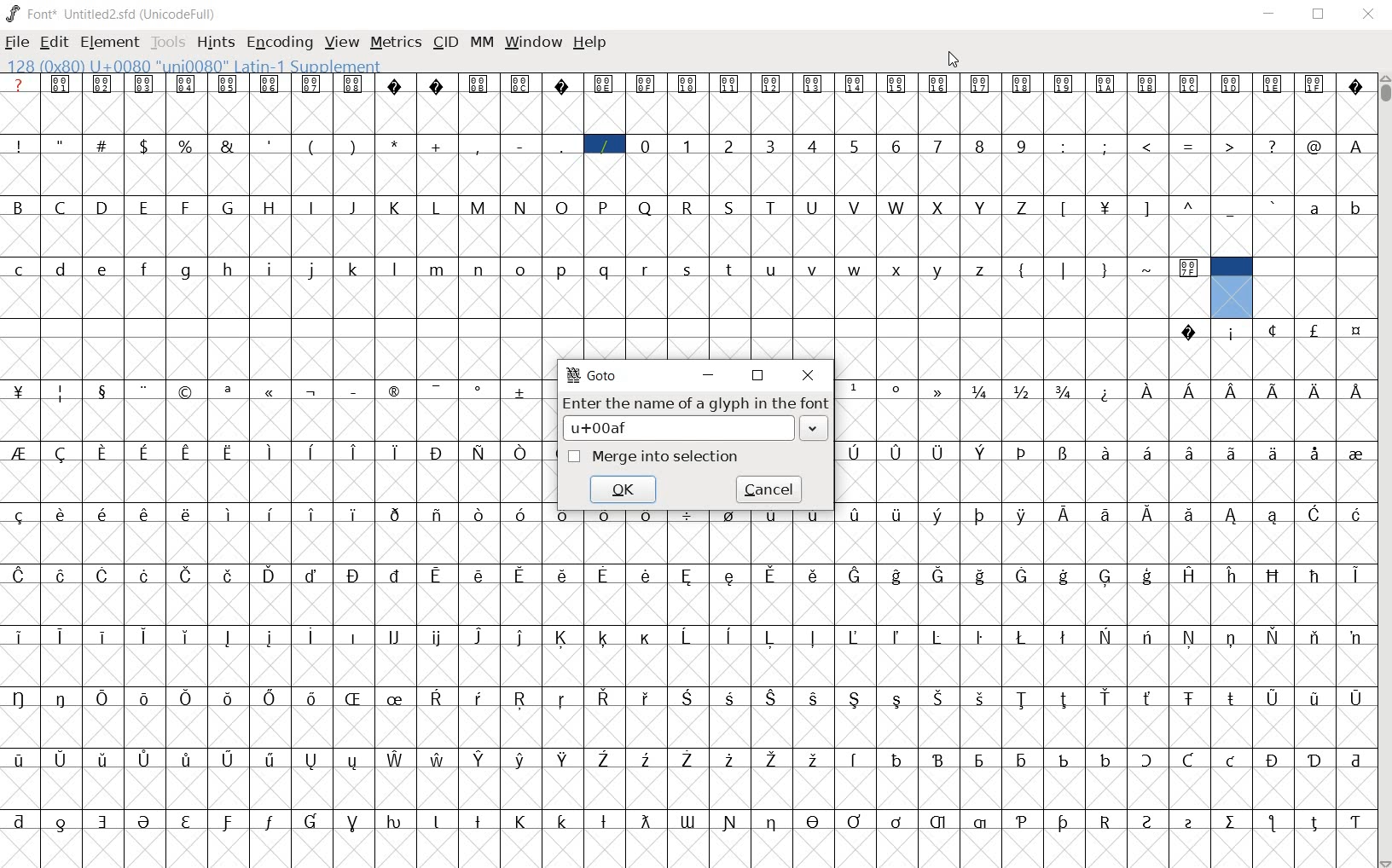  Describe the element at coordinates (192, 64) in the screenshot. I see `128(0X80) U +0080 " uni0080" Latin-1 Supplement` at that location.